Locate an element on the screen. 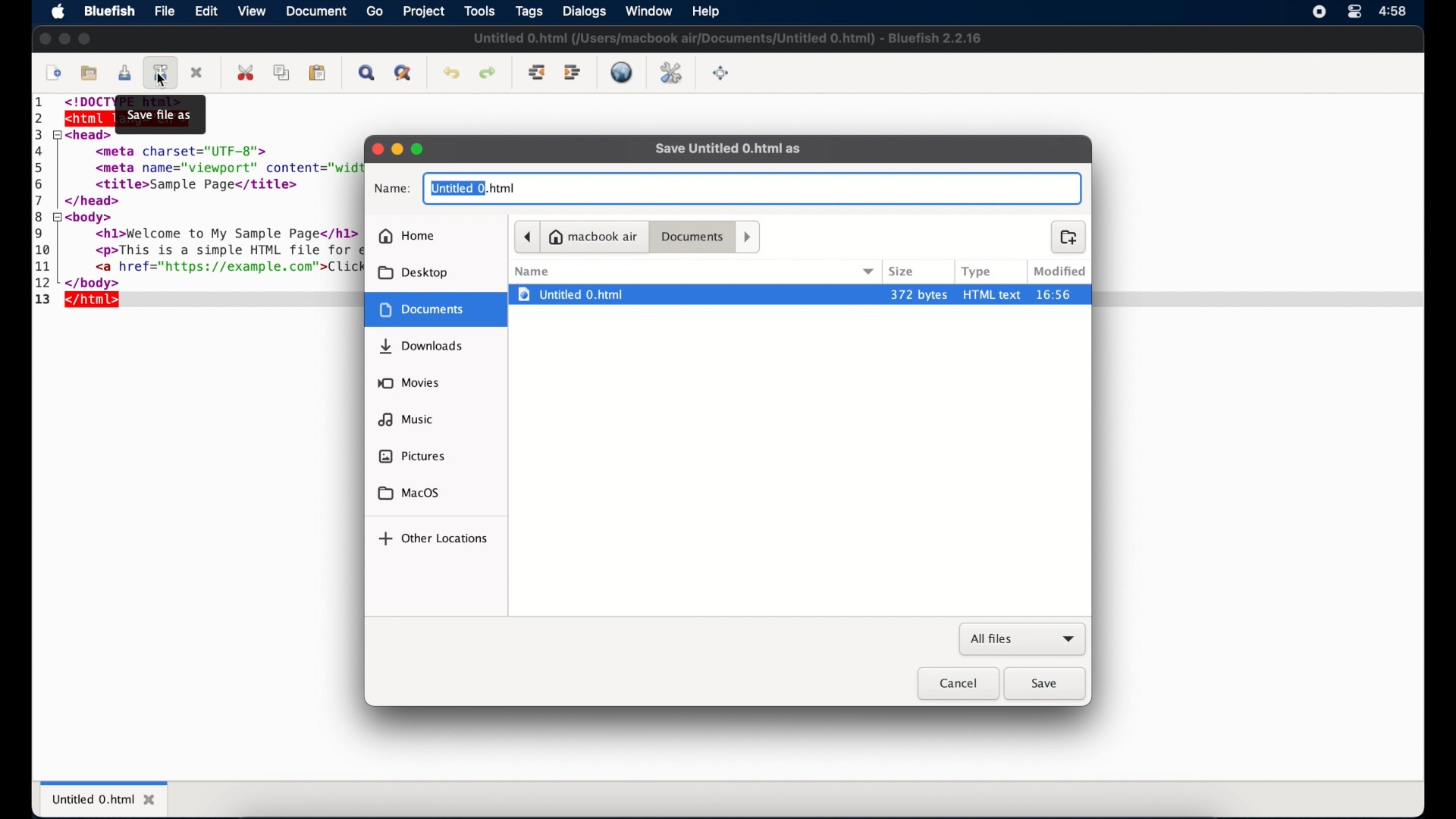  new folder is located at coordinates (1068, 237).